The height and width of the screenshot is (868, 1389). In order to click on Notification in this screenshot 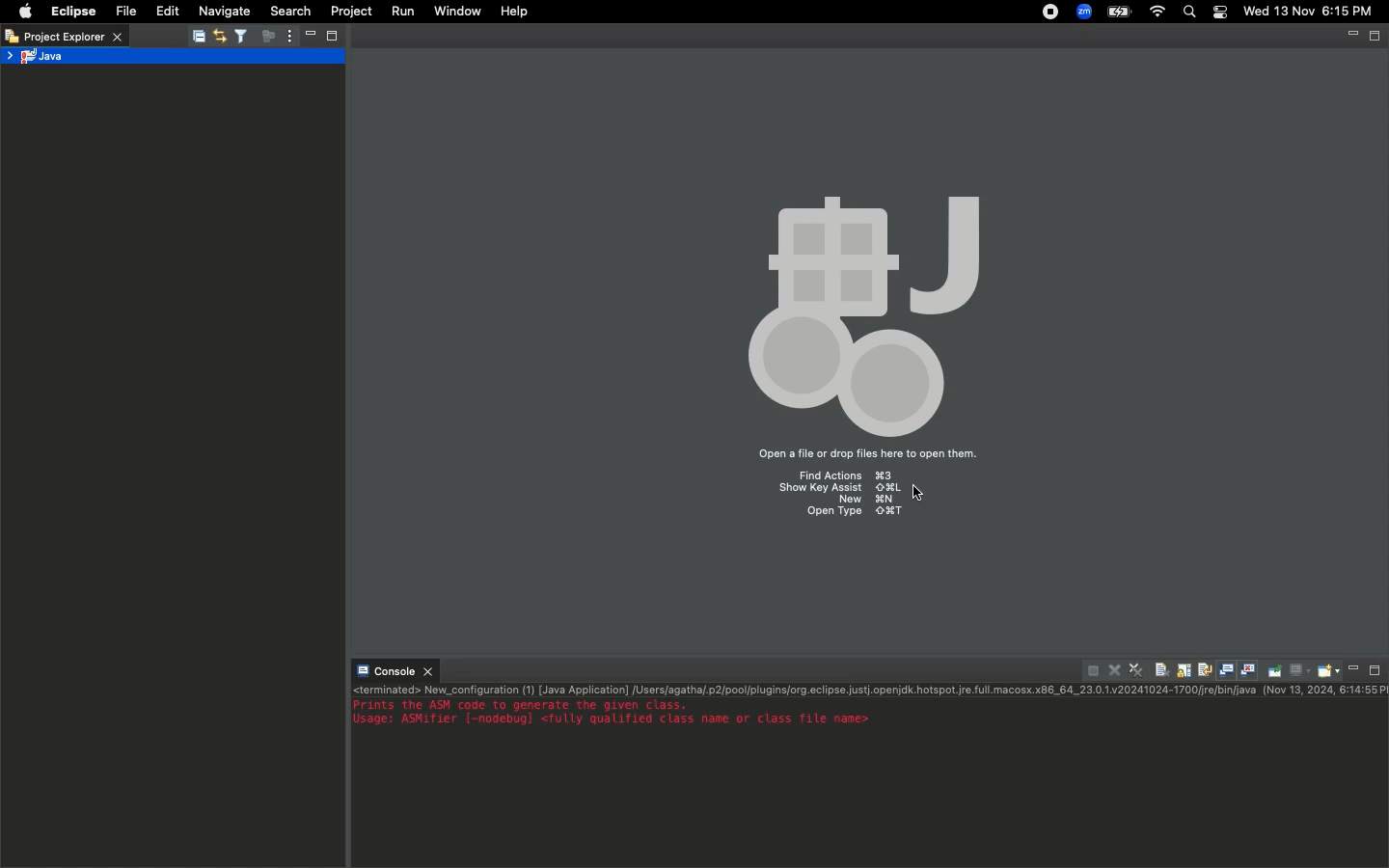, I will do `click(1221, 13)`.